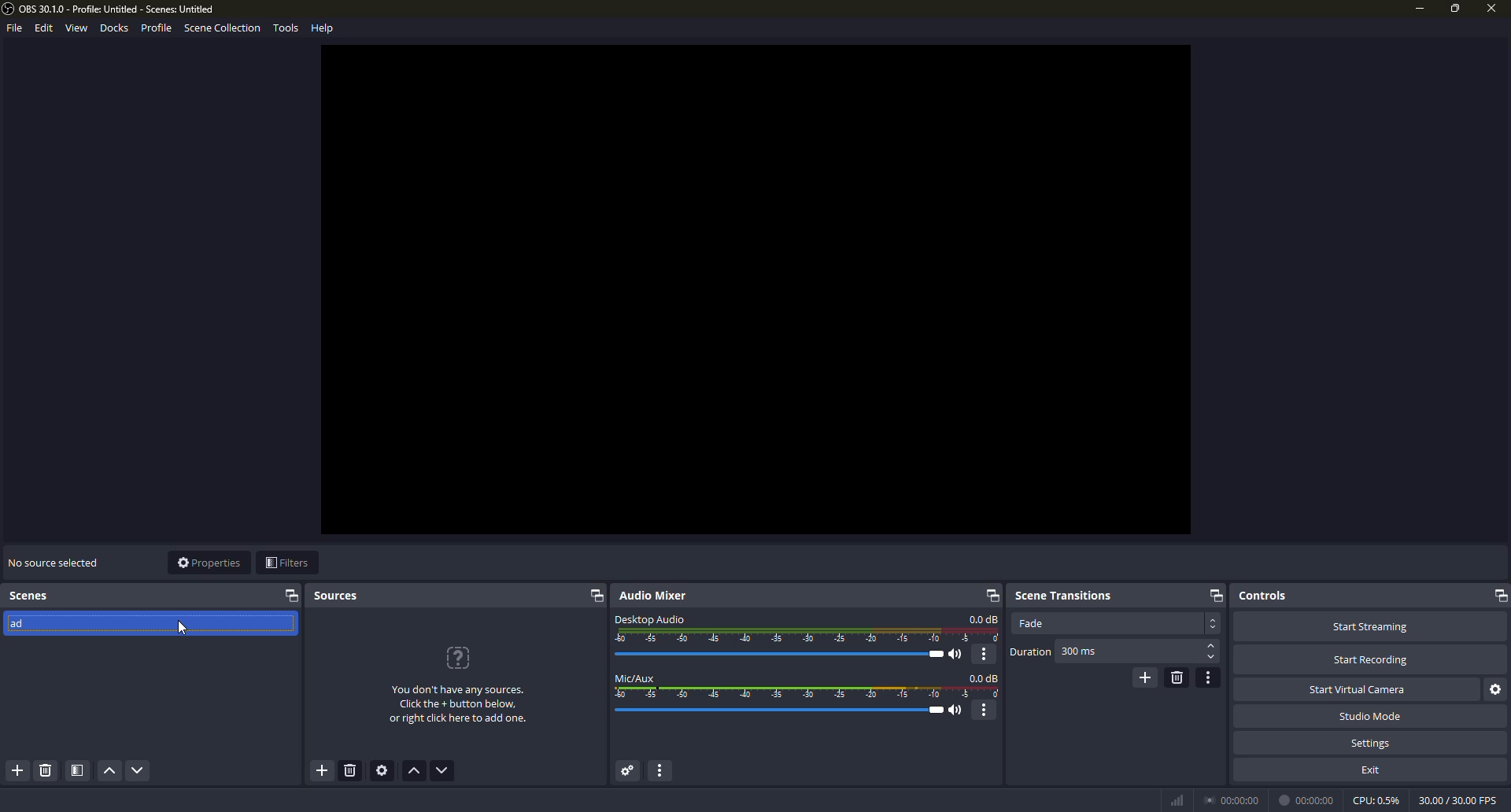 The height and width of the screenshot is (812, 1511). What do you see at coordinates (1212, 646) in the screenshot?
I see `select up` at bounding box center [1212, 646].